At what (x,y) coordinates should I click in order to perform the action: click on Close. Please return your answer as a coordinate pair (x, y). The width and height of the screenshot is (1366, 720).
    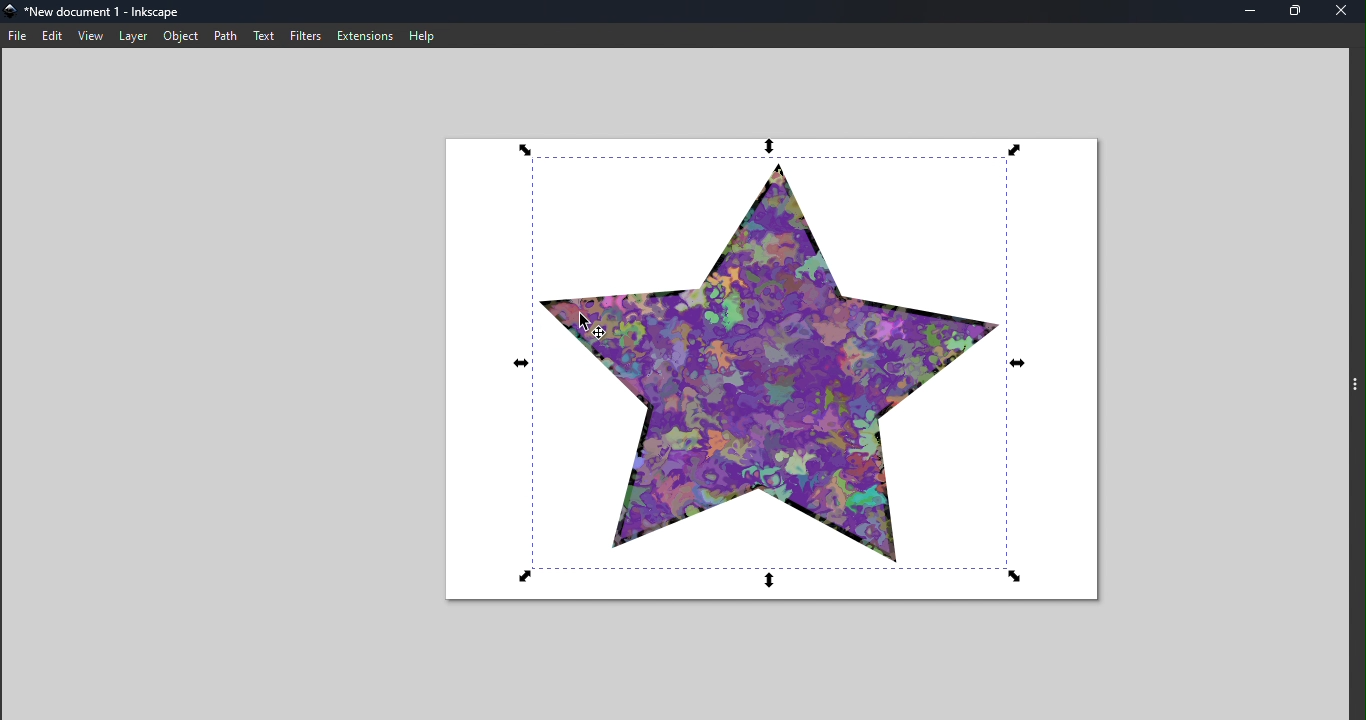
    Looking at the image, I should click on (1343, 12).